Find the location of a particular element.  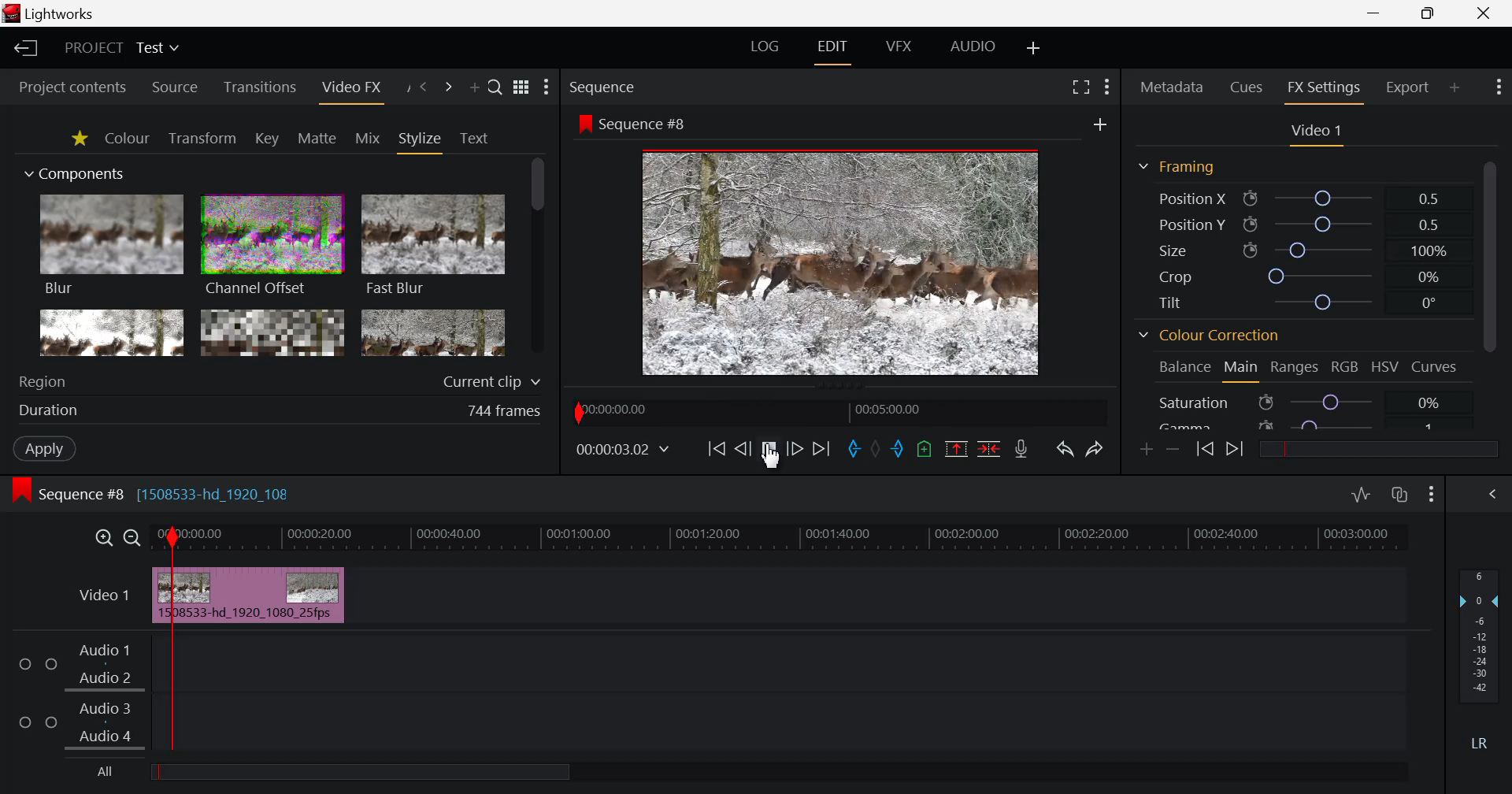

Record Voiceover is located at coordinates (1024, 449).